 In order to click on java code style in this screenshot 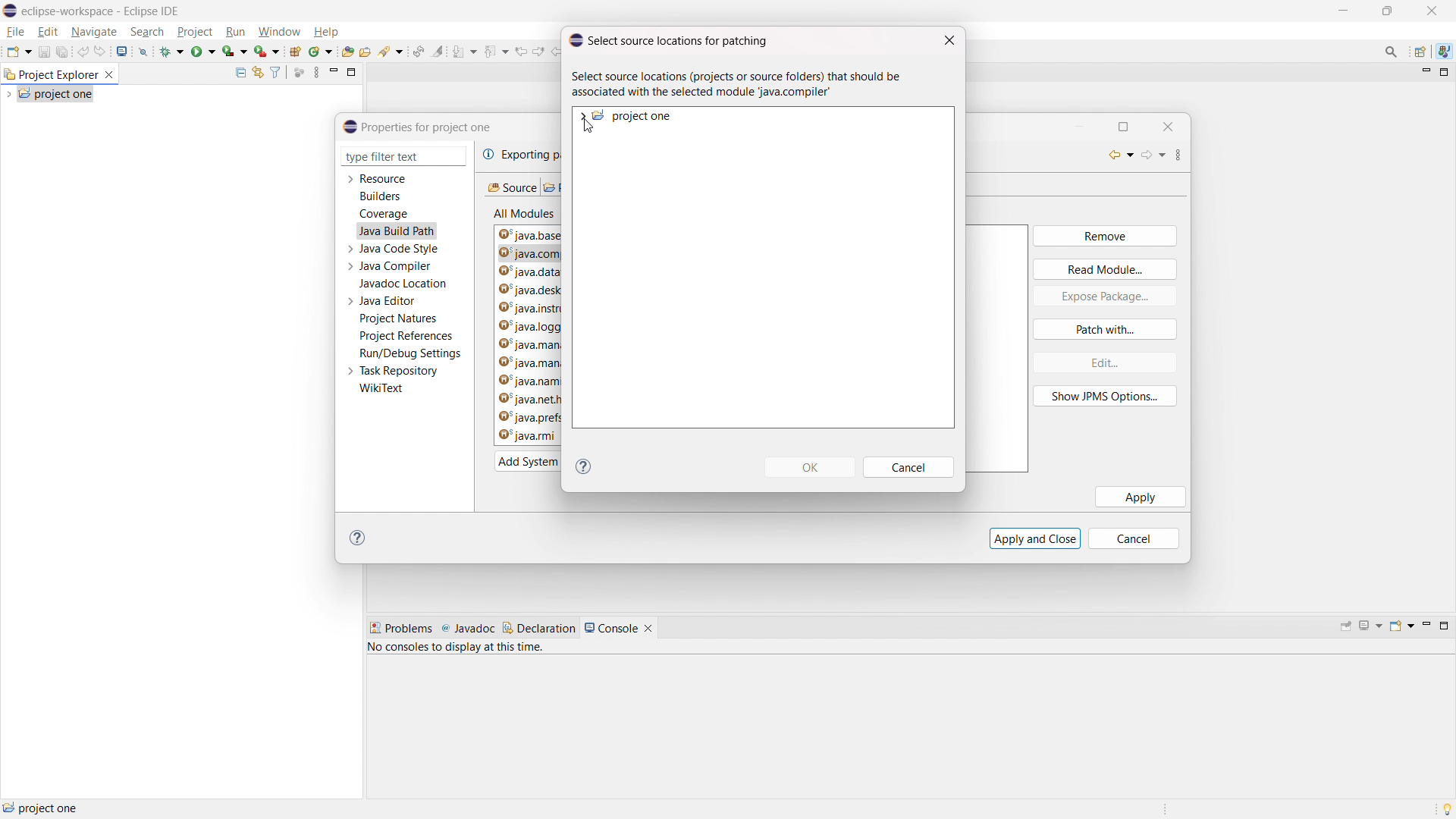, I will do `click(400, 249)`.